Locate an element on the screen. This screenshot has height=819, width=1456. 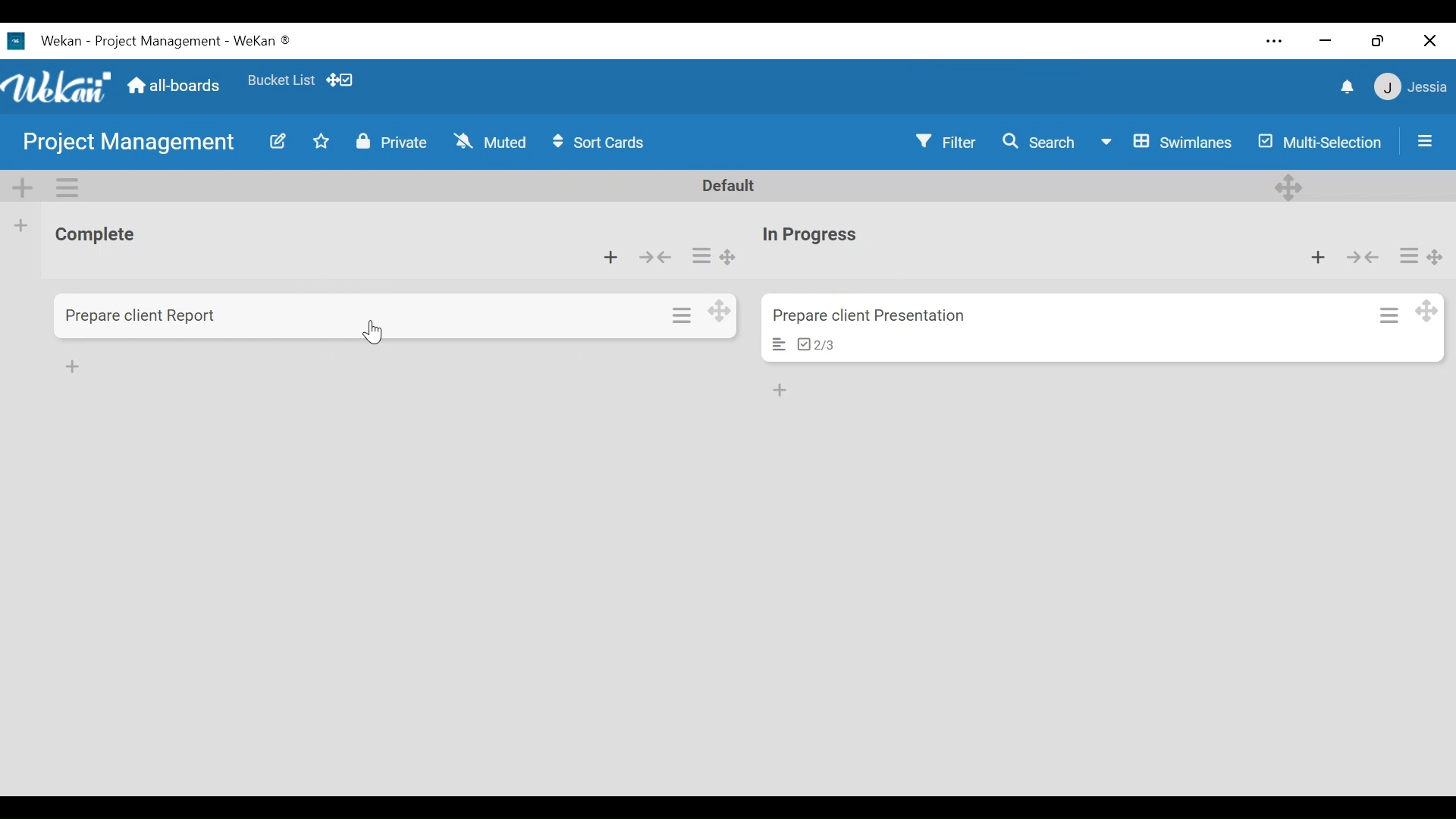
Card actions is located at coordinates (1408, 255).